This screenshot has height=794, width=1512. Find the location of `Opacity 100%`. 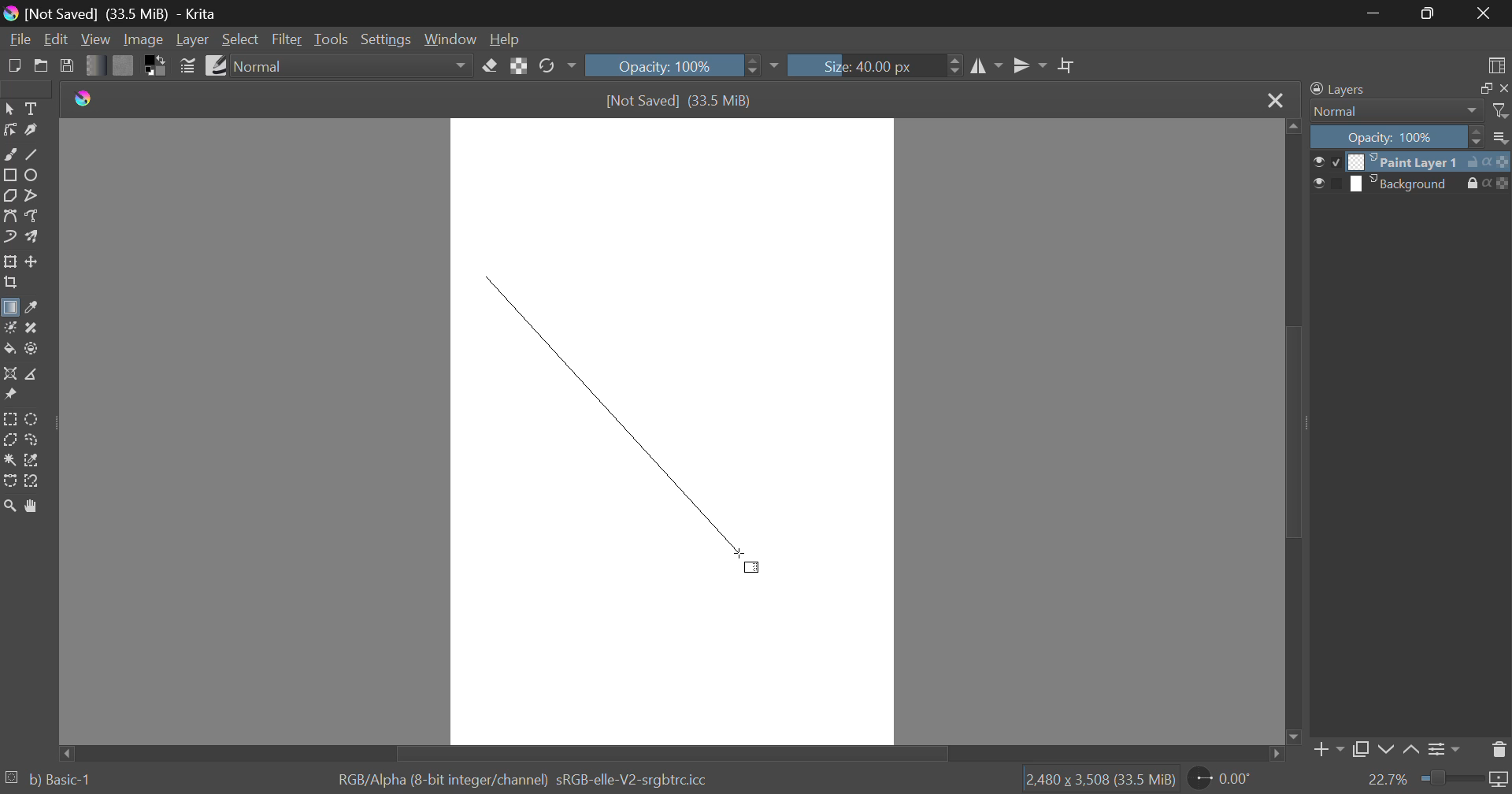

Opacity 100% is located at coordinates (1395, 137).